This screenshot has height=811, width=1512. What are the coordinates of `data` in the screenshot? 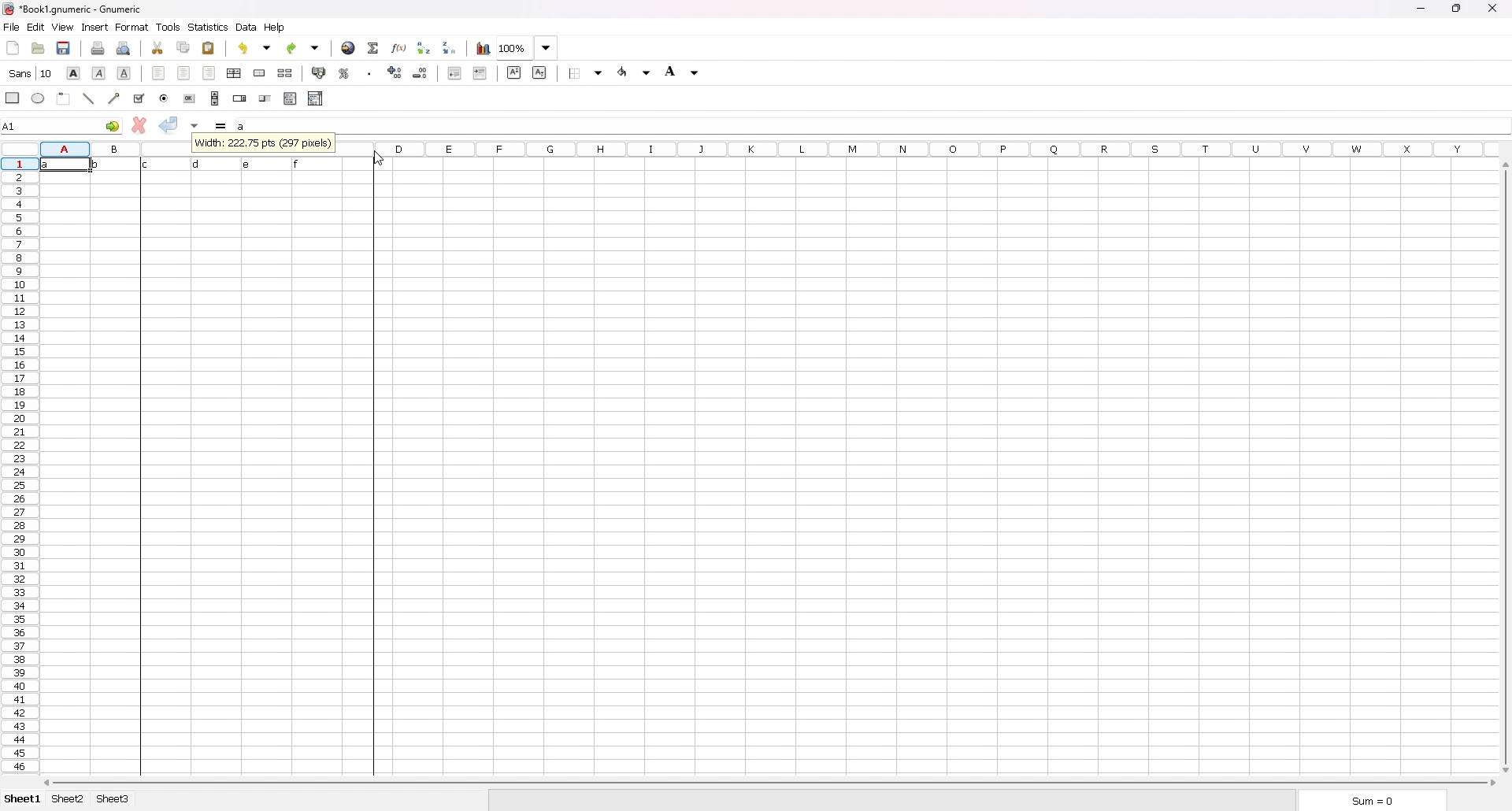 It's located at (246, 28).